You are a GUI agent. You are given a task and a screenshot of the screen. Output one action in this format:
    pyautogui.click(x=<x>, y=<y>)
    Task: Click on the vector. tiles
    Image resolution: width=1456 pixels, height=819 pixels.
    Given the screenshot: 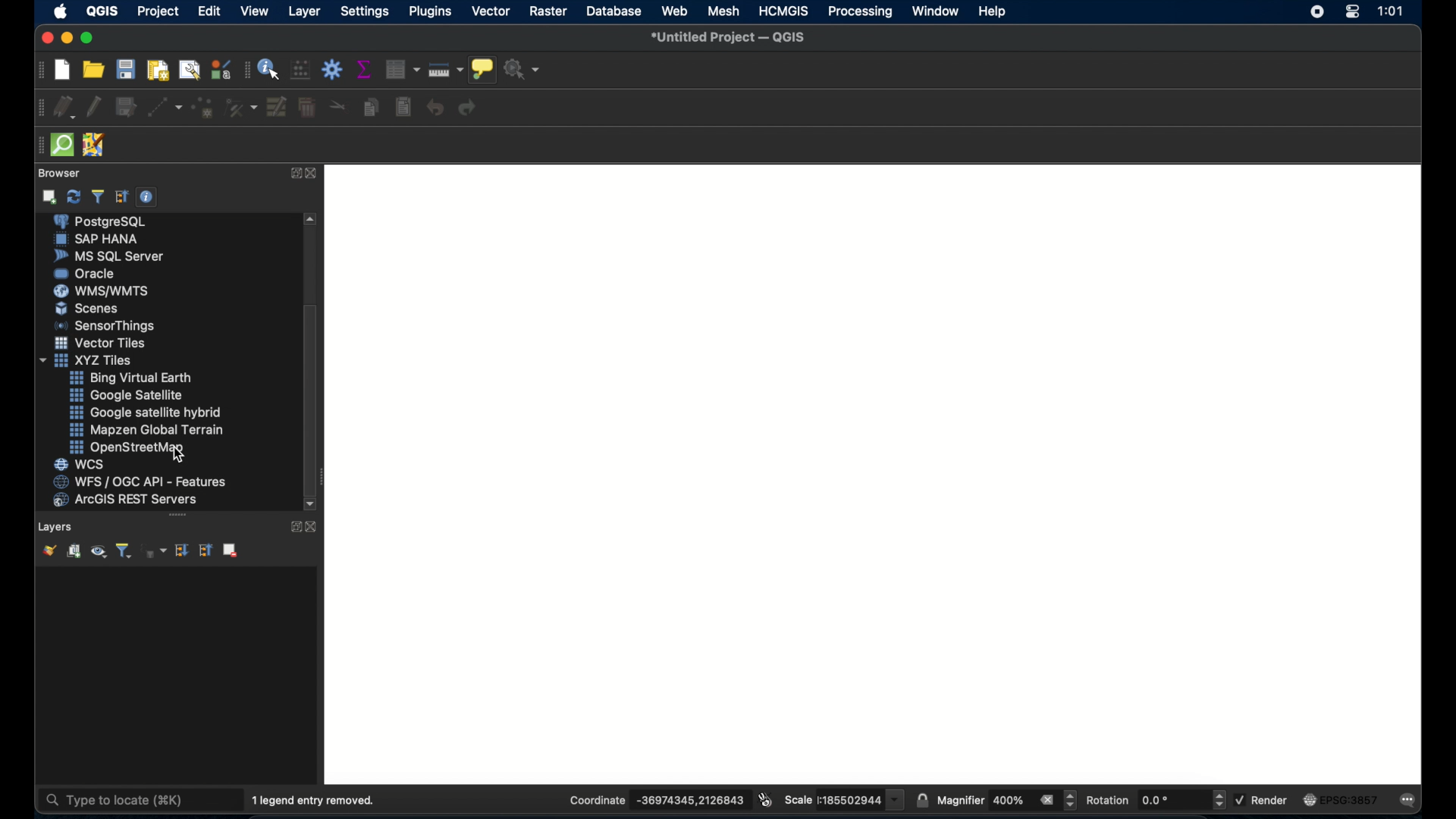 What is the action you would take?
    pyautogui.click(x=101, y=343)
    